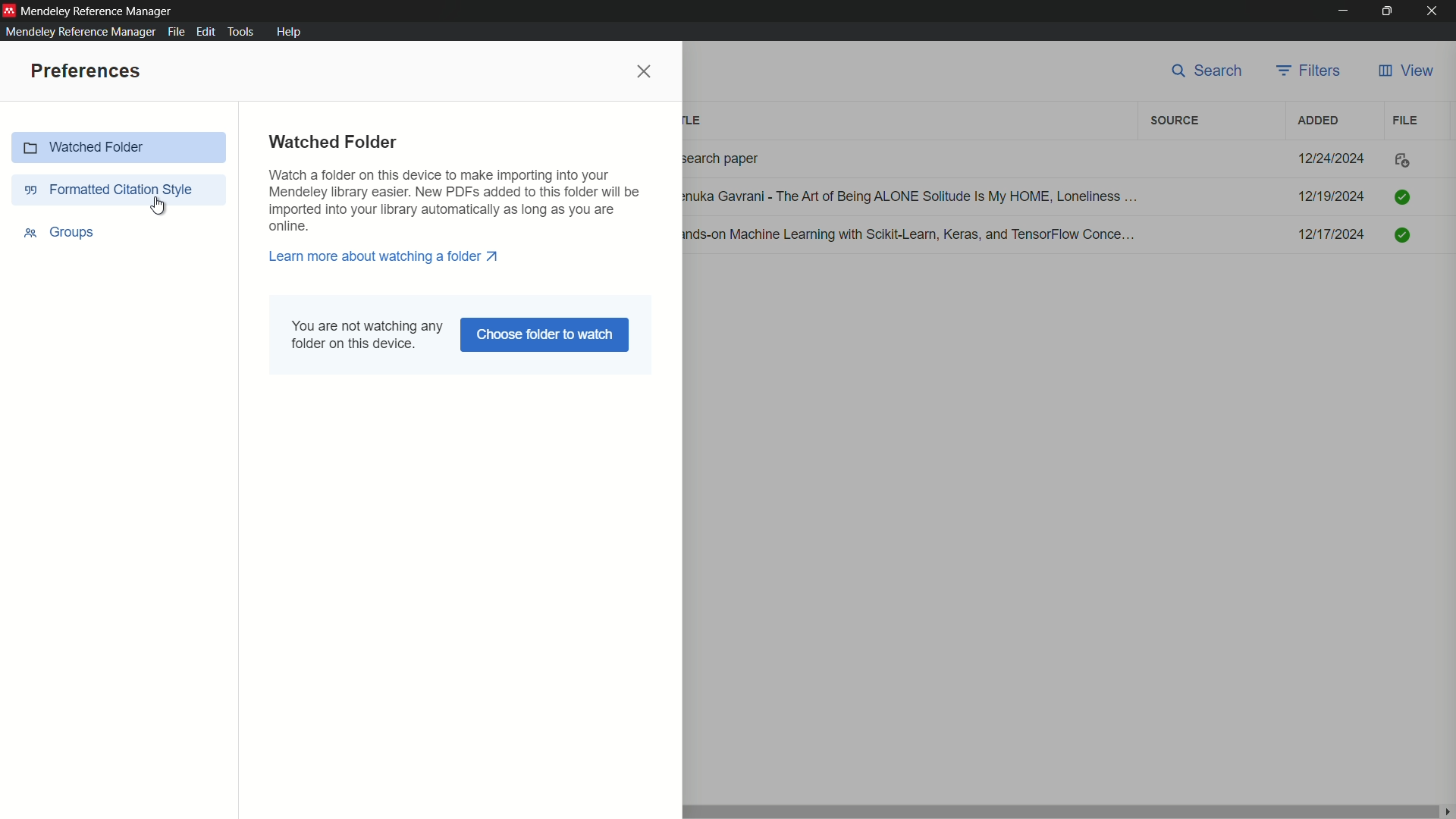 Image resolution: width=1456 pixels, height=819 pixels. What do you see at coordinates (645, 71) in the screenshot?
I see `close` at bounding box center [645, 71].